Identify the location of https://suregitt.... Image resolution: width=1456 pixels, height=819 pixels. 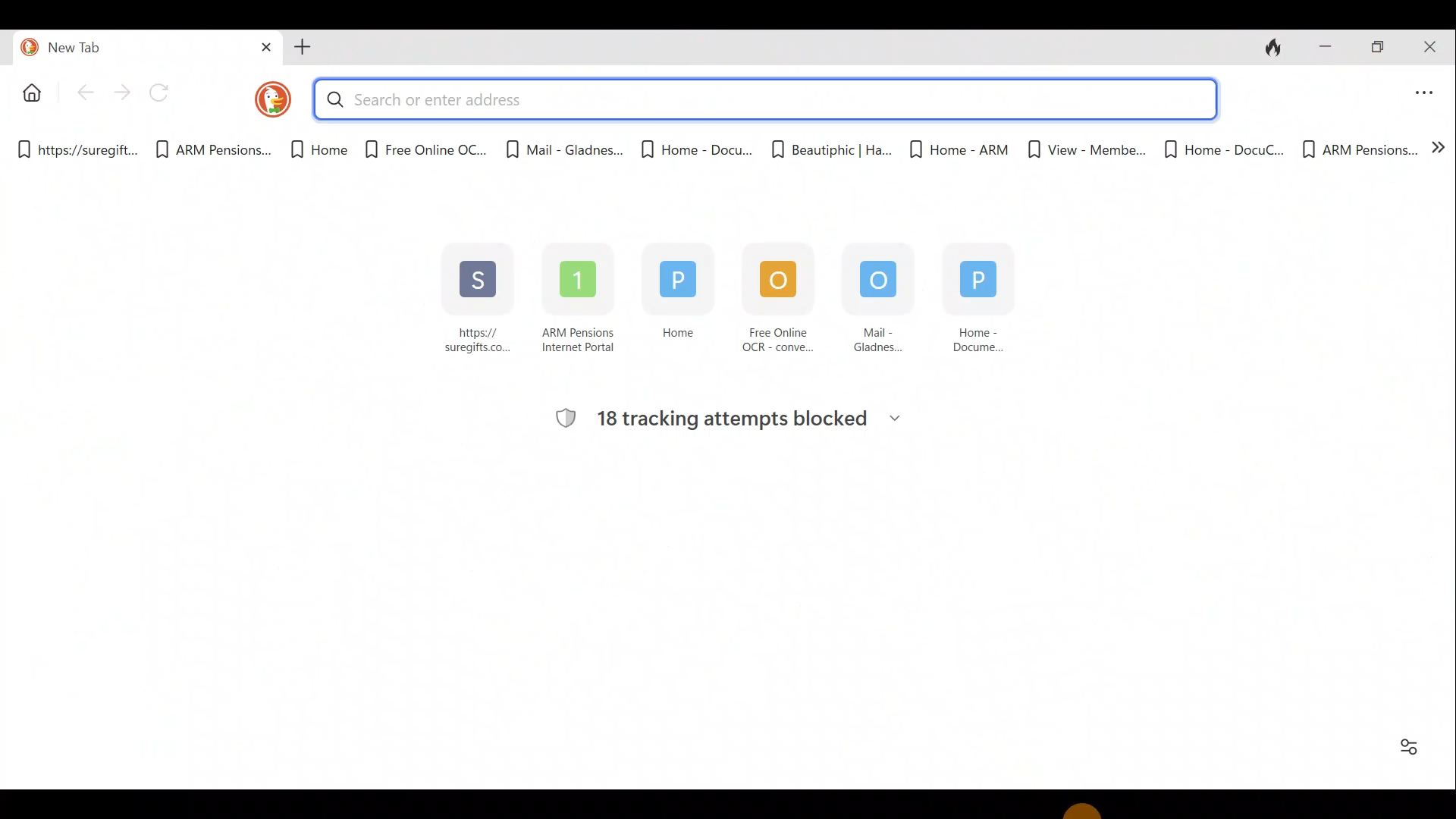
(80, 147).